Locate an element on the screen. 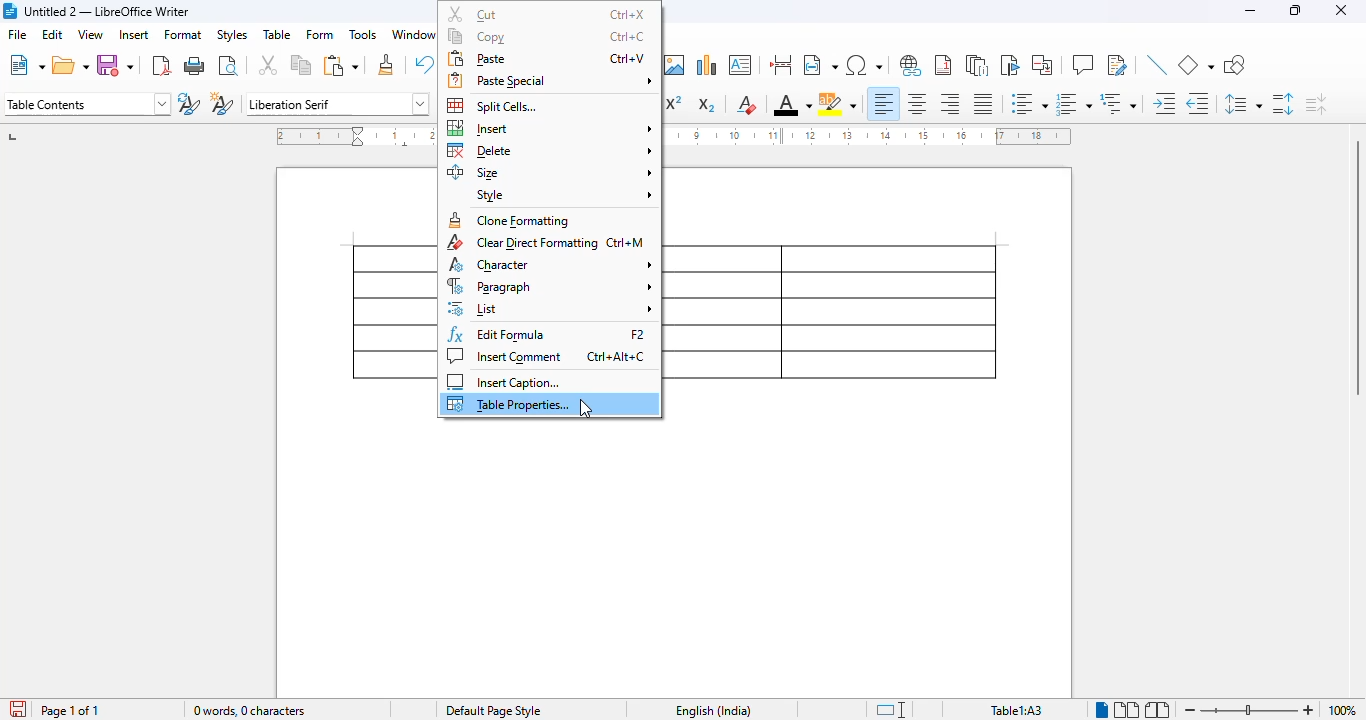 This screenshot has height=720, width=1366. insert field is located at coordinates (820, 64).